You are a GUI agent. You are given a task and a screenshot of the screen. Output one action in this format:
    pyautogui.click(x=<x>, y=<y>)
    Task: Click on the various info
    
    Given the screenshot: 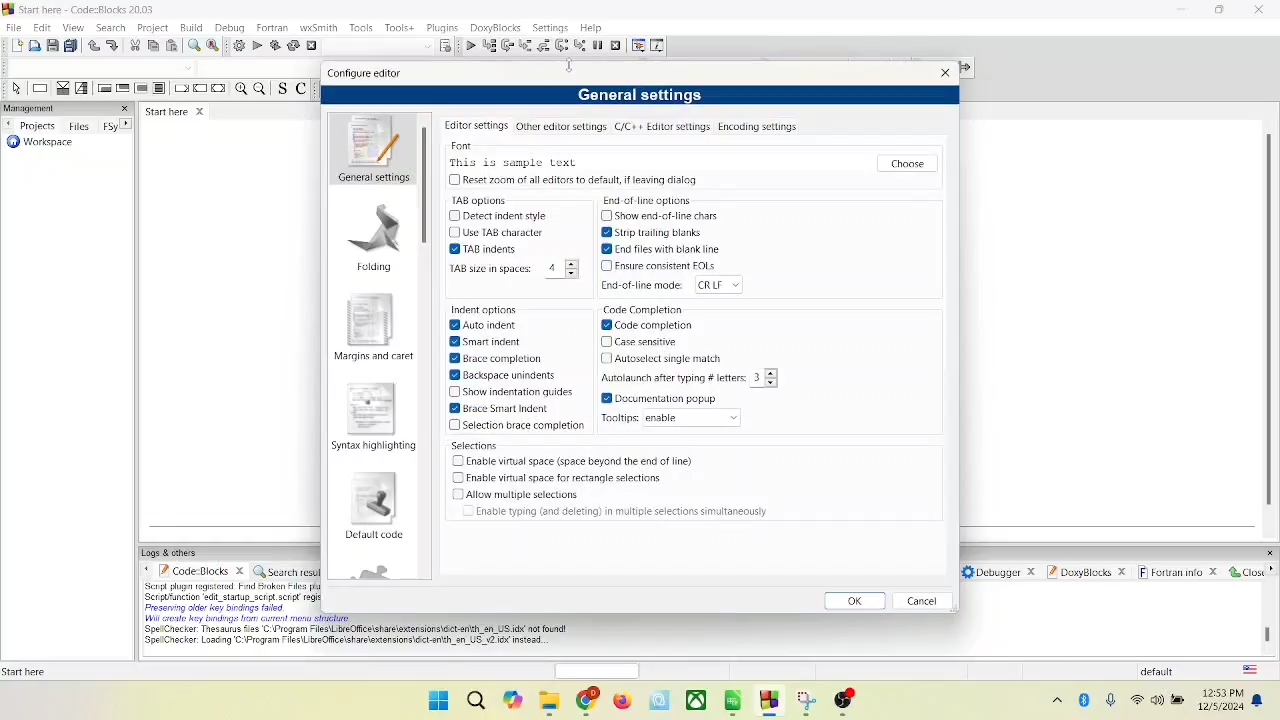 What is the action you would take?
    pyautogui.click(x=657, y=44)
    